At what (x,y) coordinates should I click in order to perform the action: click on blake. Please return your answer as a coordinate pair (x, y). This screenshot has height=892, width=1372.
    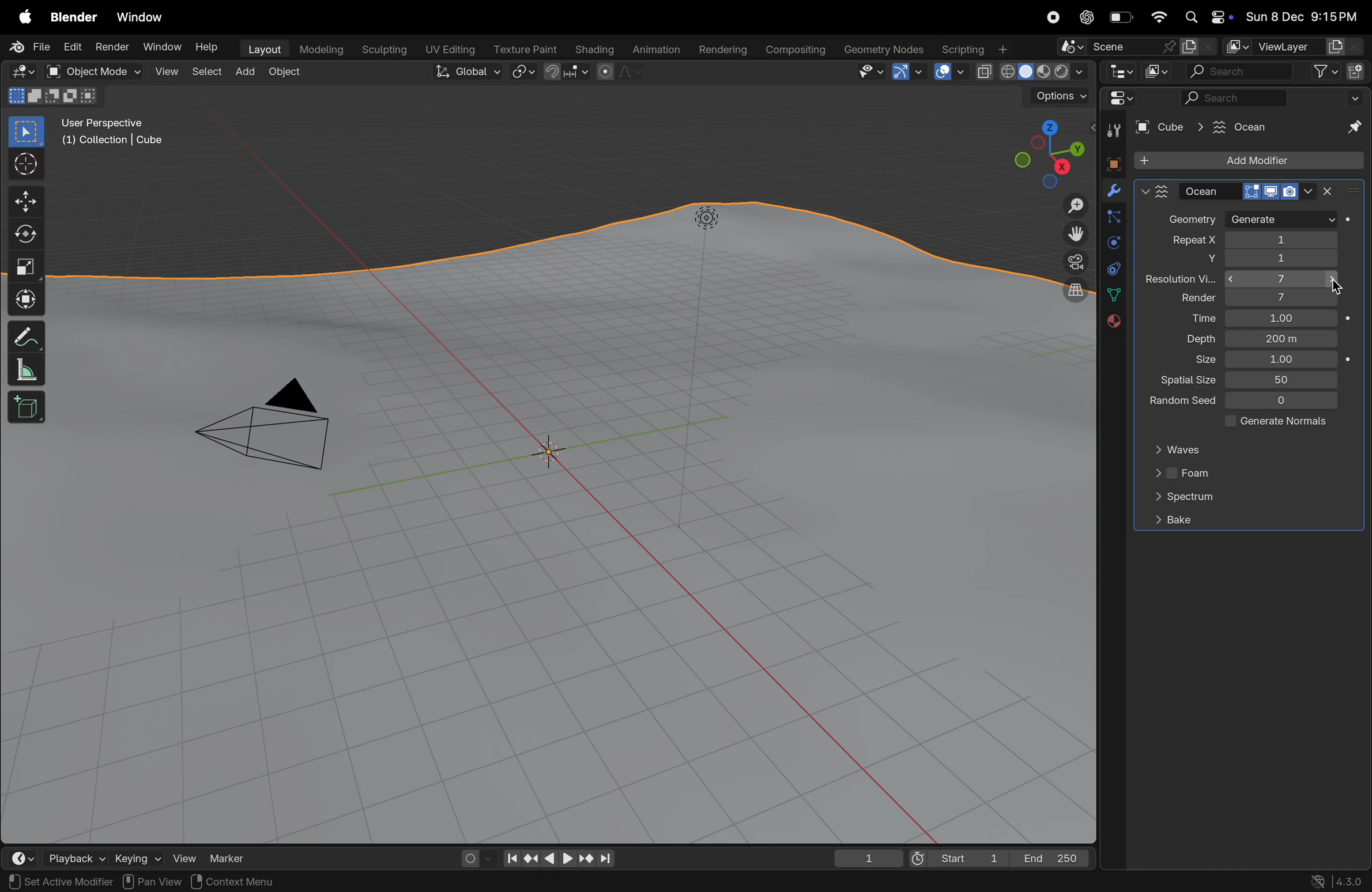
    Looking at the image, I should click on (1173, 520).